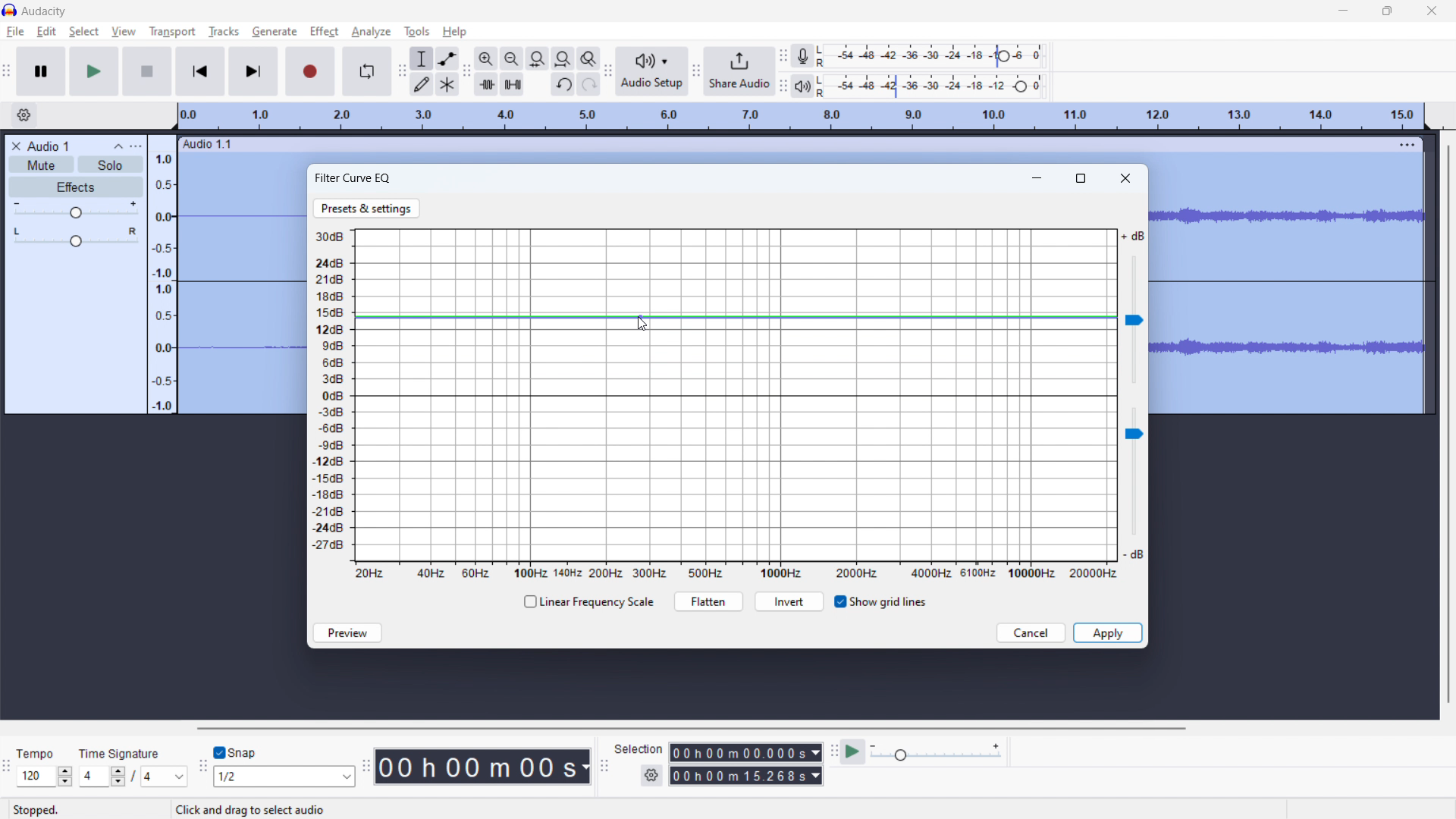  Describe the element at coordinates (784, 56) in the screenshot. I see `recording meter toolbar` at that location.